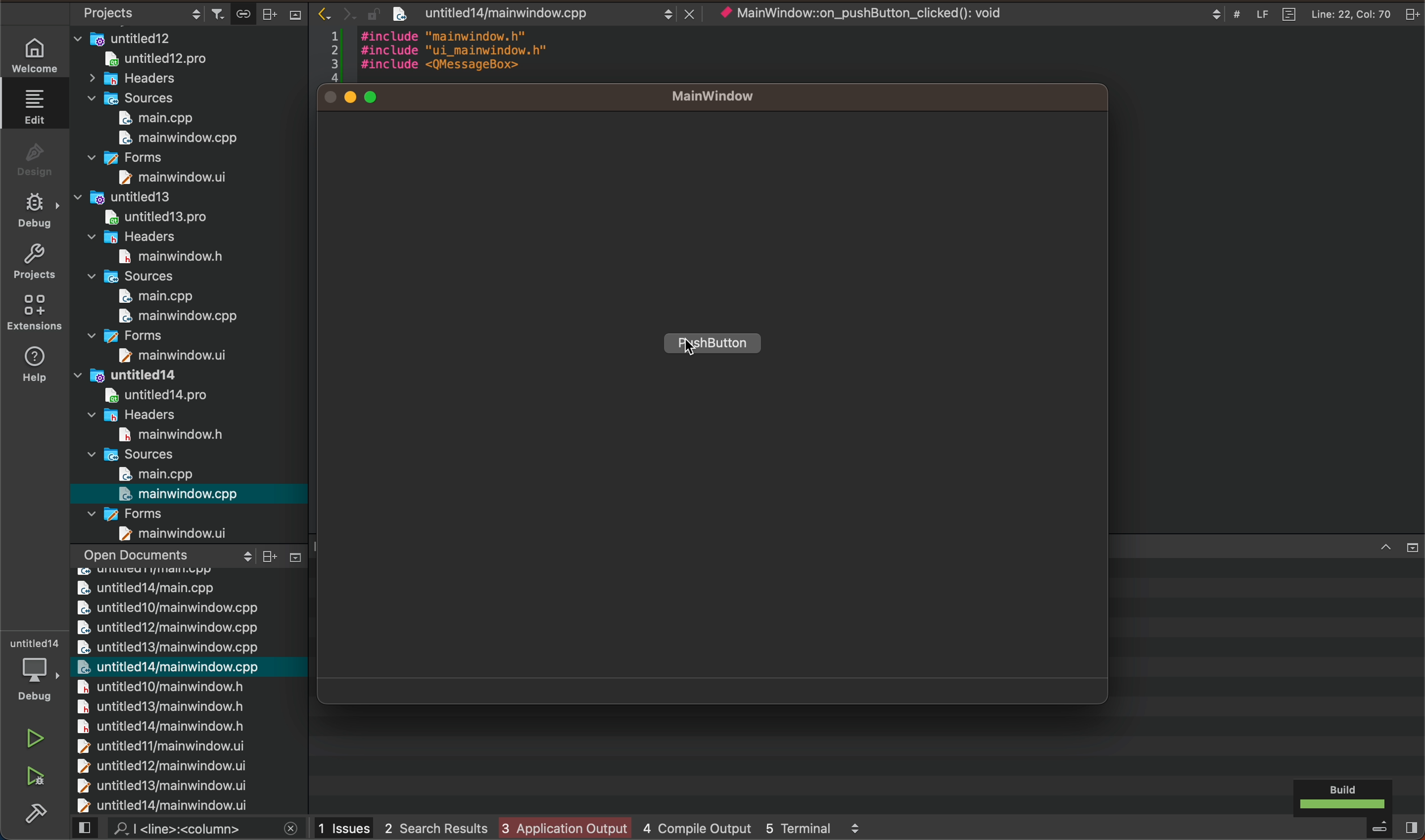  What do you see at coordinates (36, 812) in the screenshot?
I see `` at bounding box center [36, 812].